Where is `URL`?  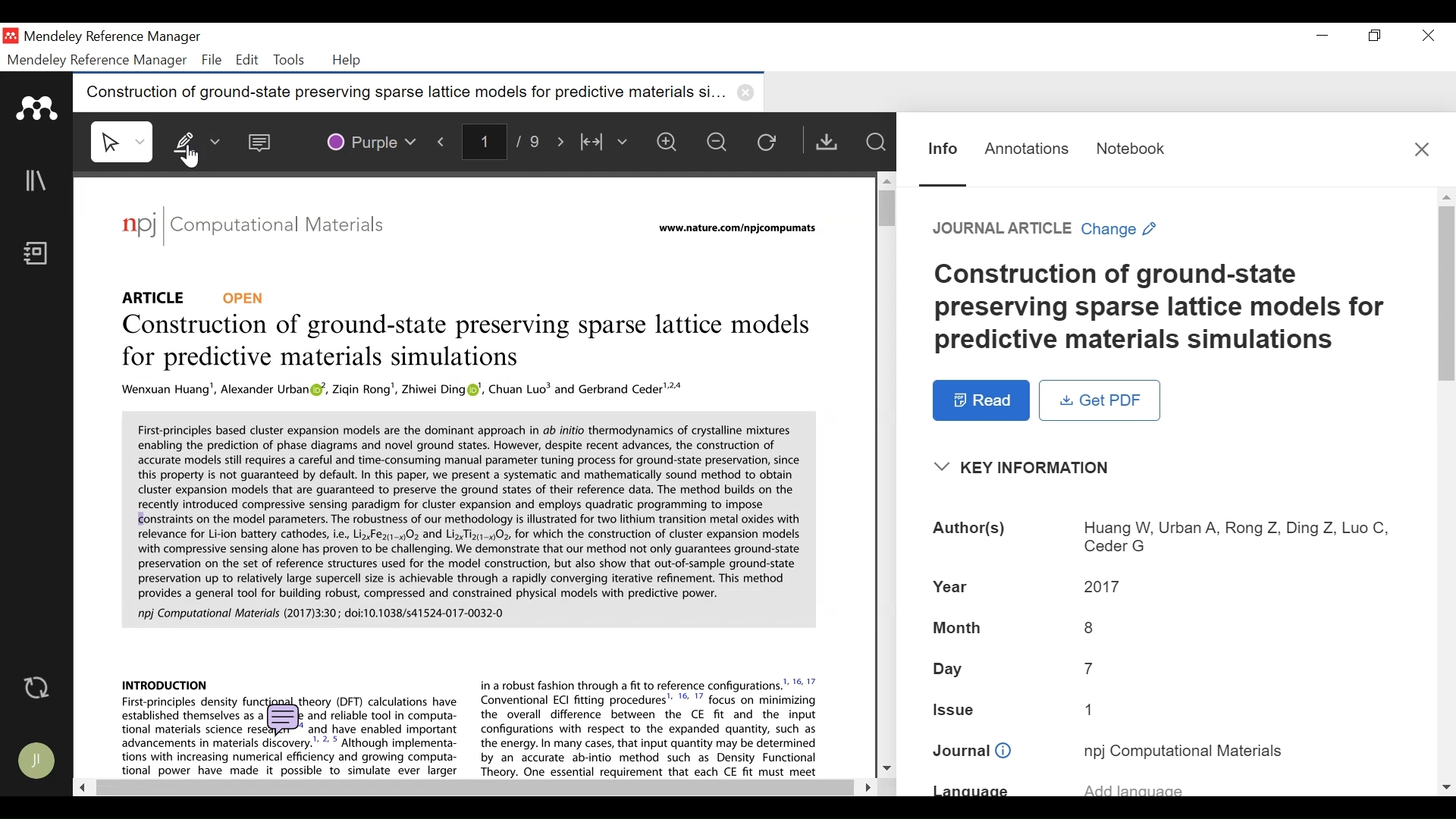
URL is located at coordinates (740, 229).